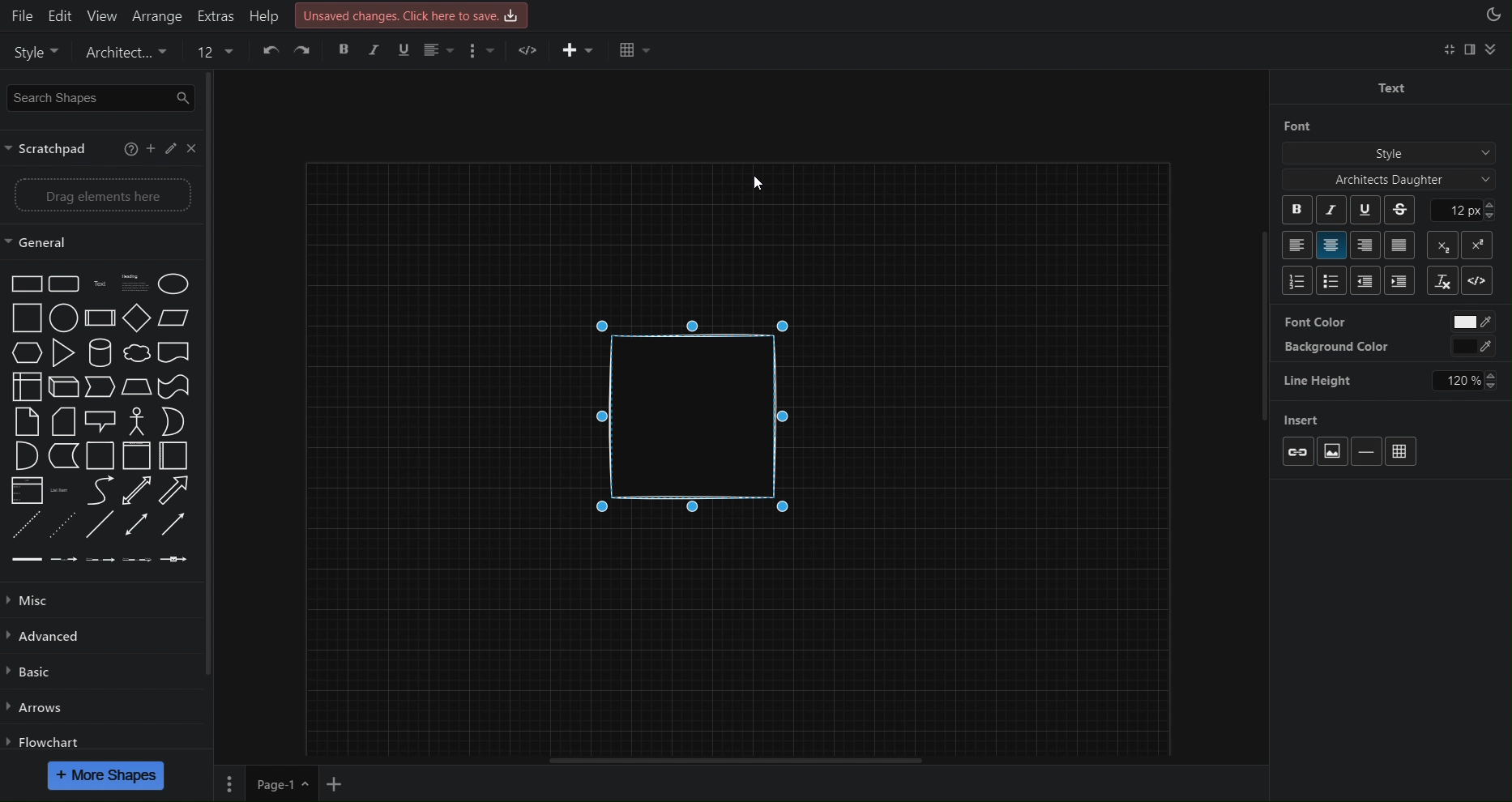 The width and height of the screenshot is (1512, 802). I want to click on cursor, so click(766, 177).